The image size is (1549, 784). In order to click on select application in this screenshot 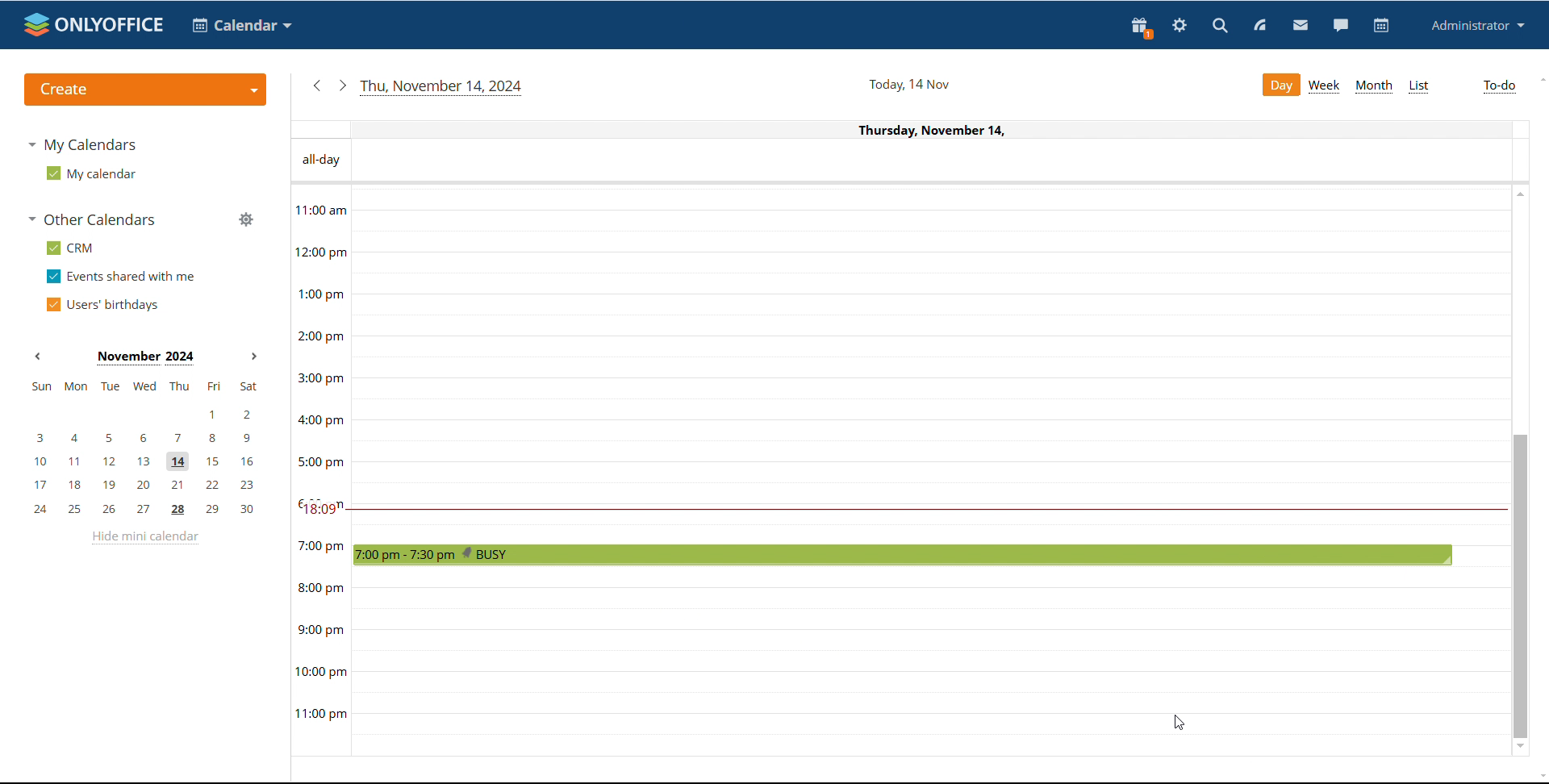, I will do `click(242, 26)`.